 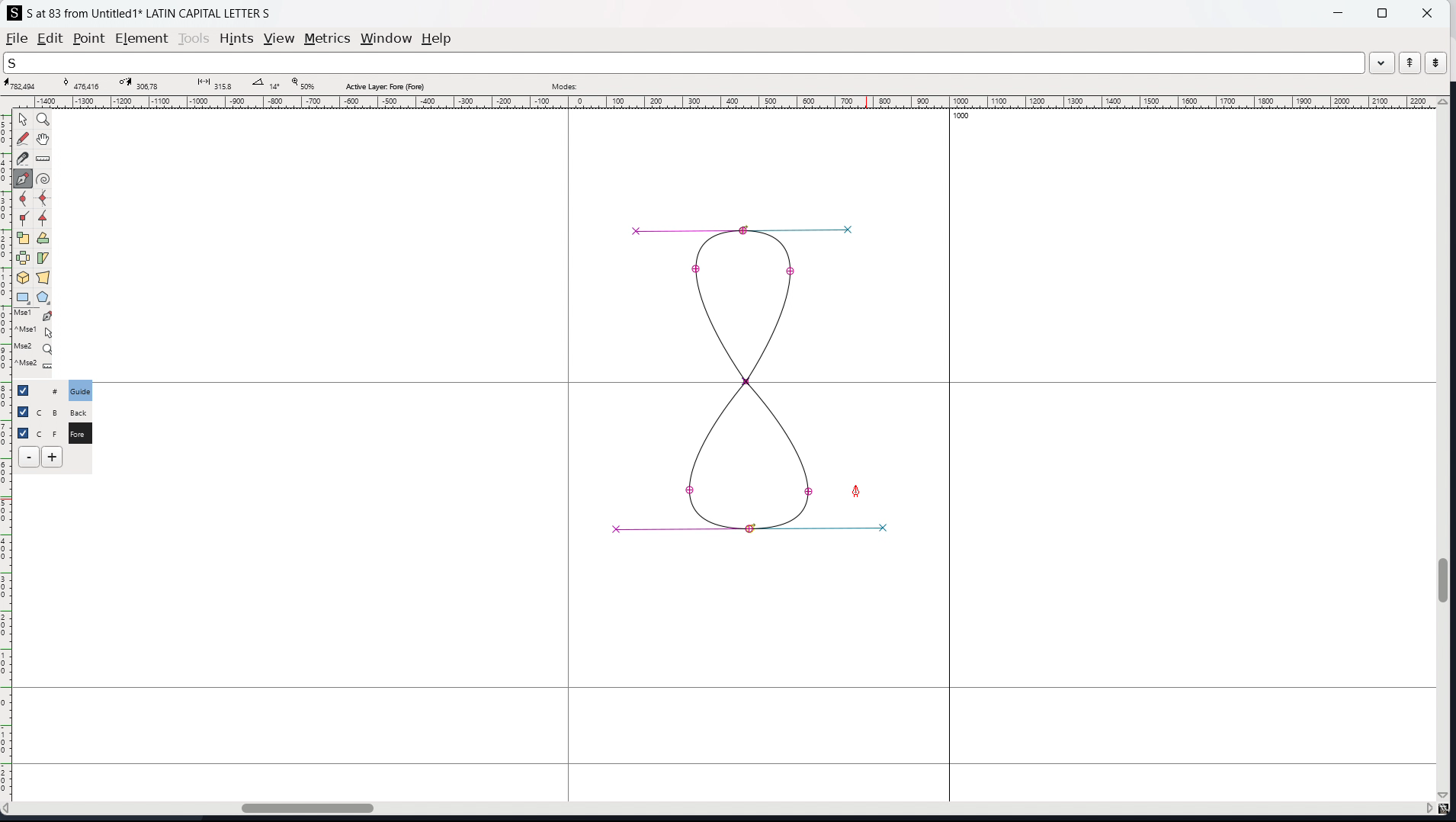 What do you see at coordinates (88, 40) in the screenshot?
I see `point` at bounding box center [88, 40].